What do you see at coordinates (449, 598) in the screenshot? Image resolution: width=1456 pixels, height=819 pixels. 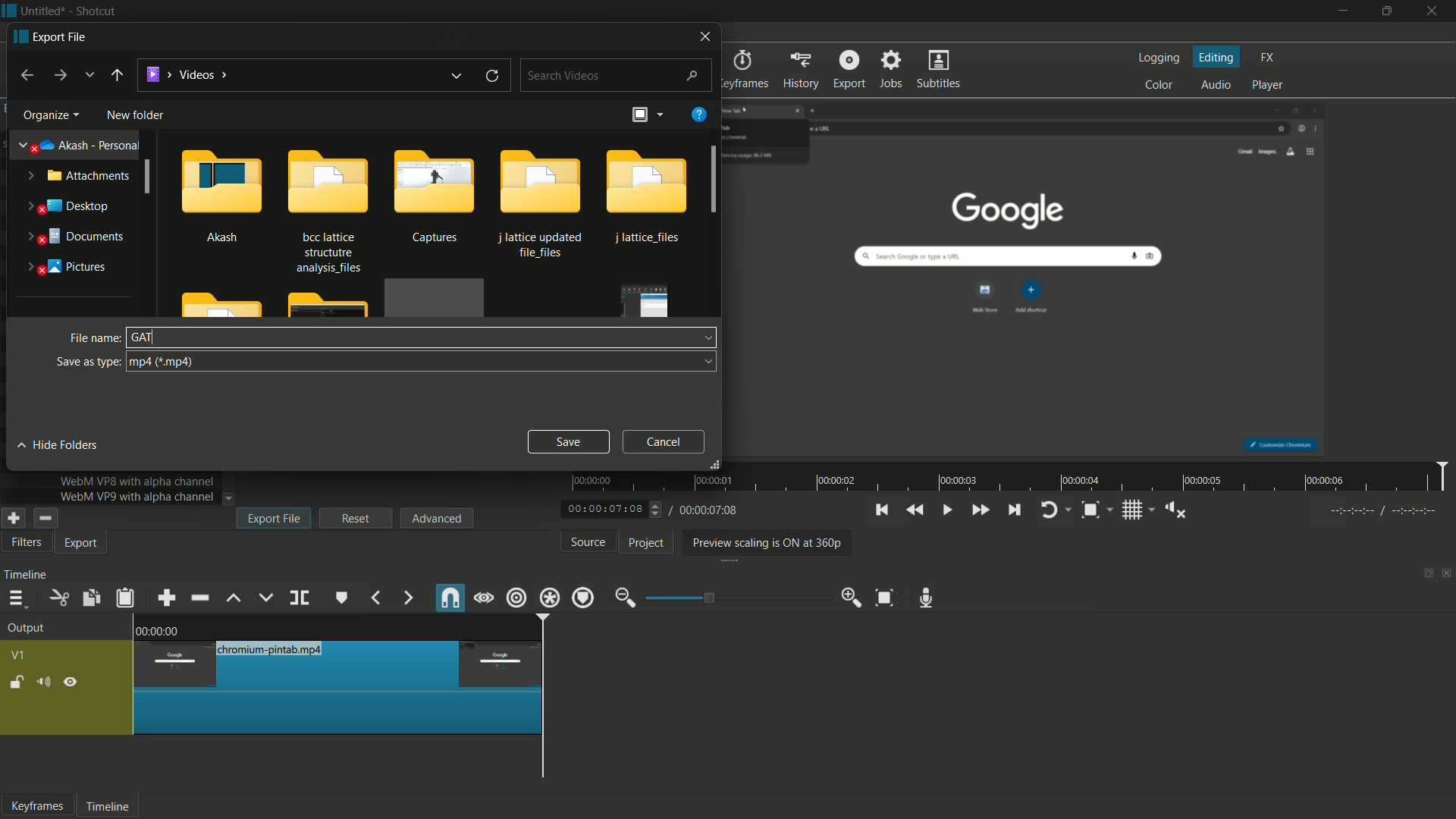 I see `snap` at bounding box center [449, 598].